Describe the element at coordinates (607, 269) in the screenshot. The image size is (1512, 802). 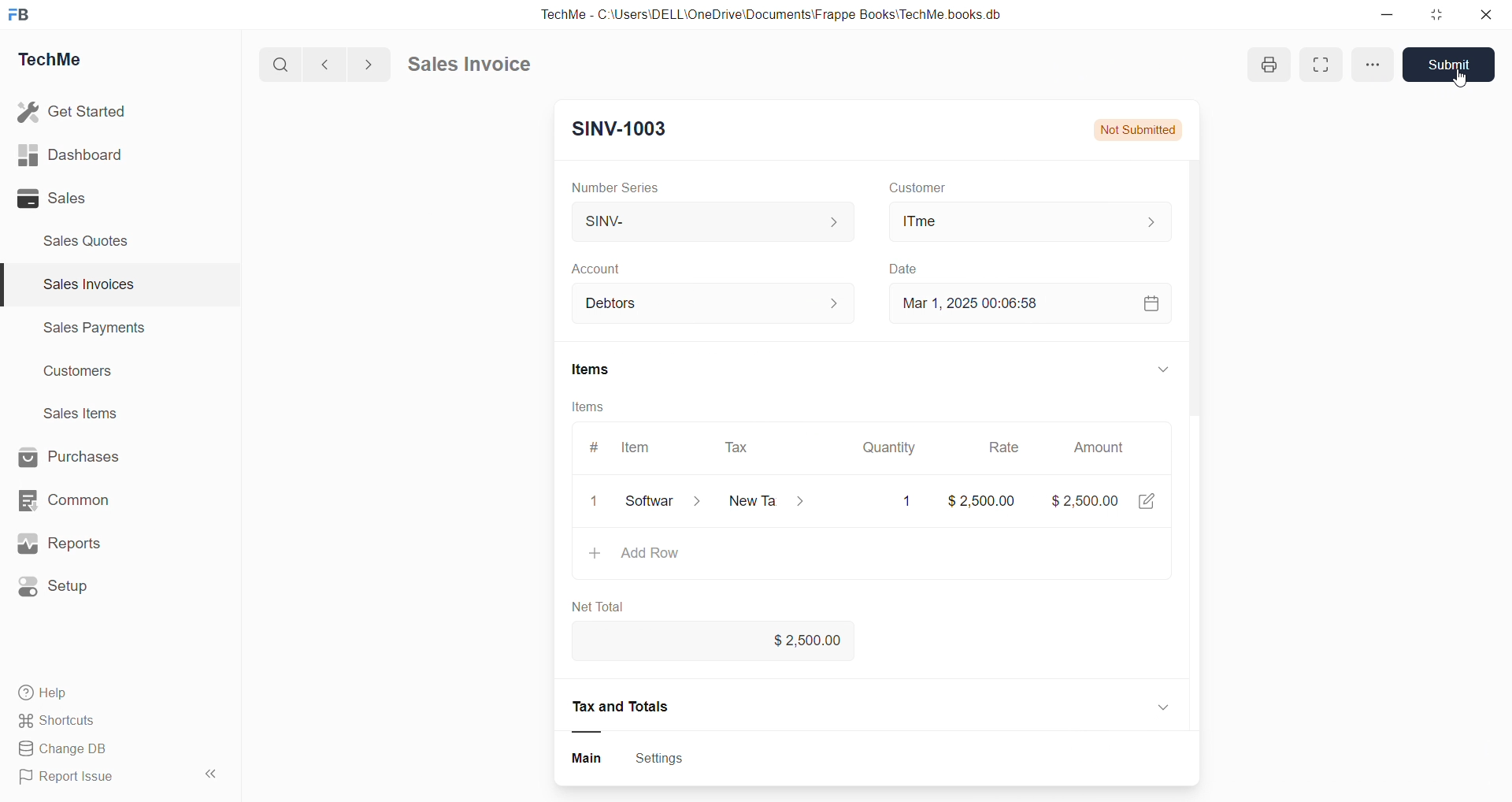
I see `Account` at that location.